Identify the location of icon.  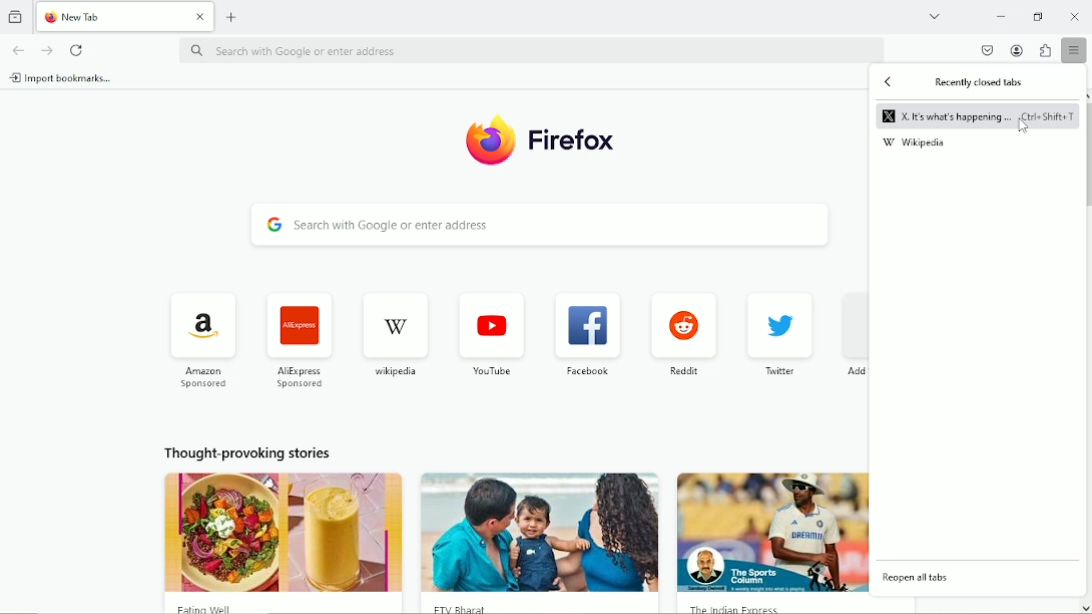
(773, 327).